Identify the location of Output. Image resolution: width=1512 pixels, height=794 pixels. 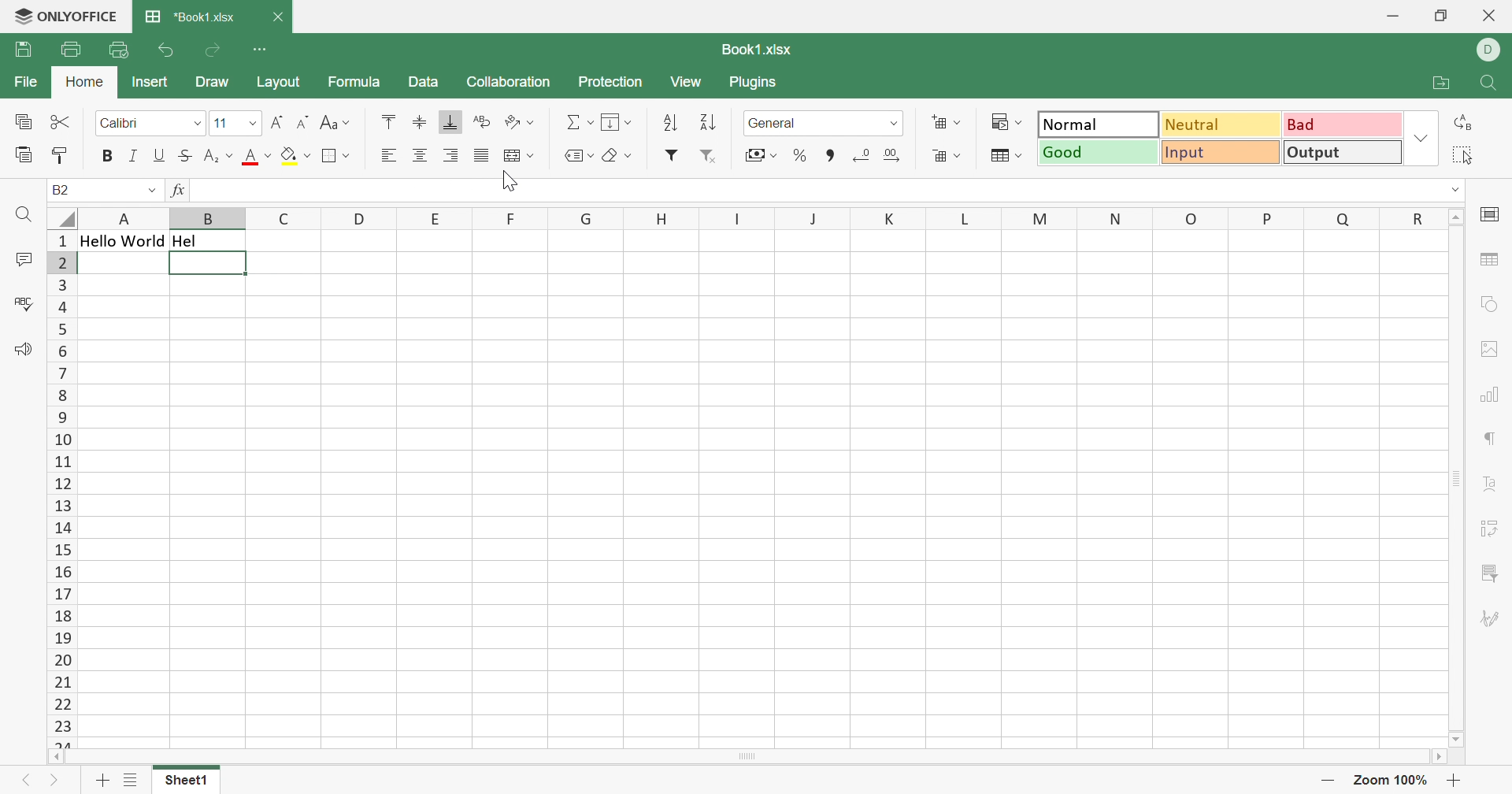
(1343, 151).